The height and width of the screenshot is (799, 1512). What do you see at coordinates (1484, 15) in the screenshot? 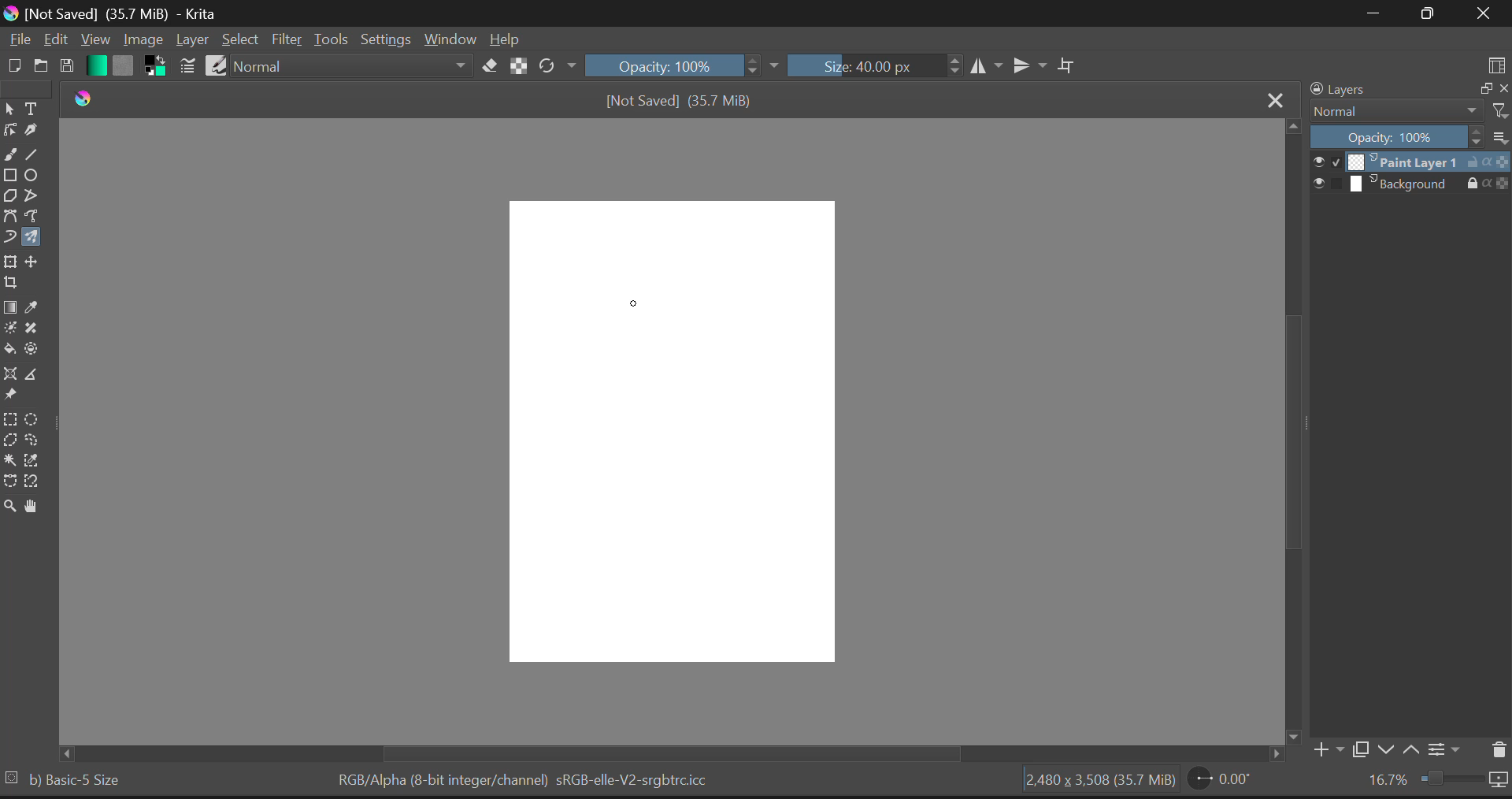
I see `Close` at bounding box center [1484, 15].